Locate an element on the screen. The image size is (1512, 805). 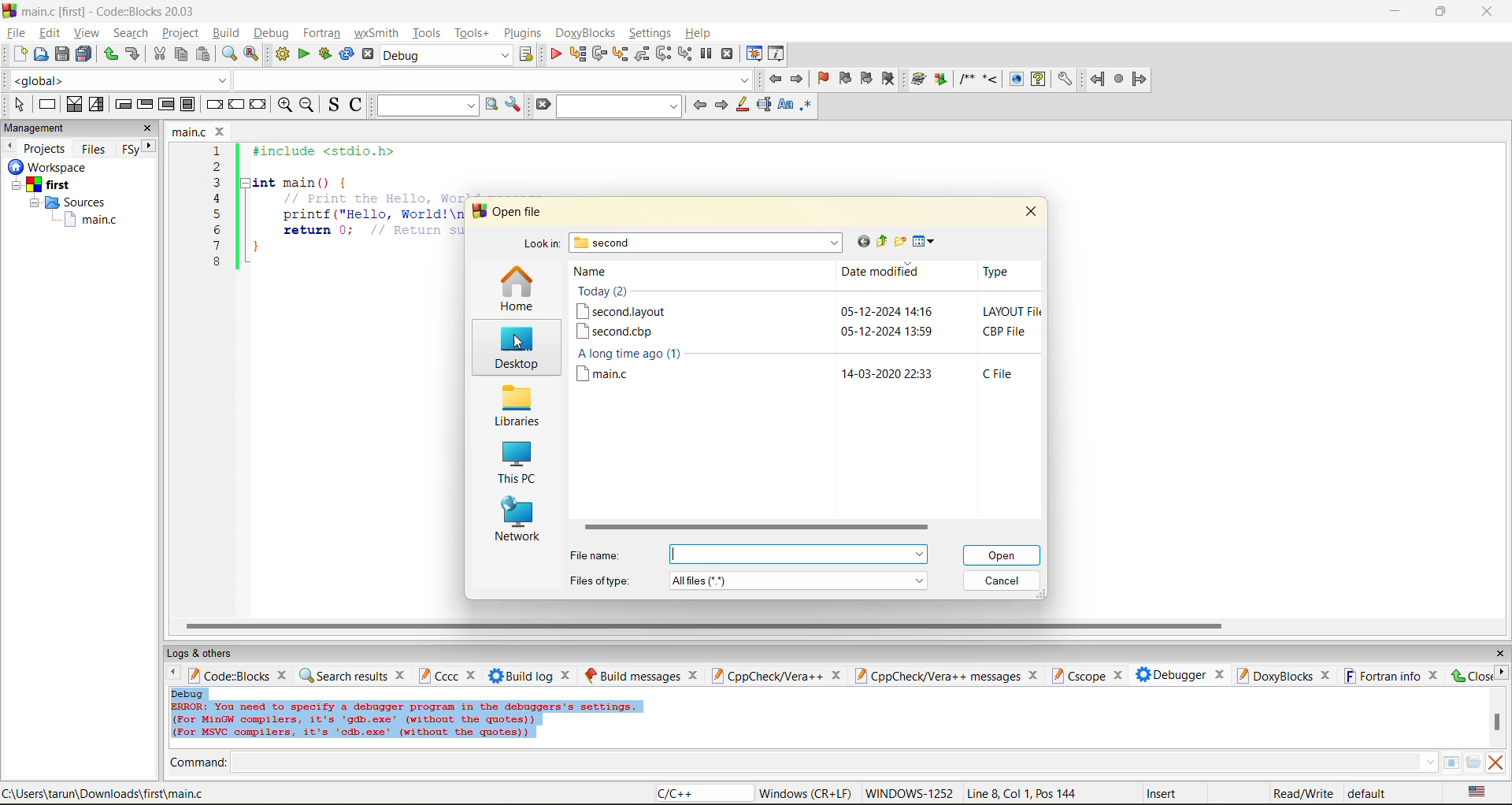
project is located at coordinates (180, 32).